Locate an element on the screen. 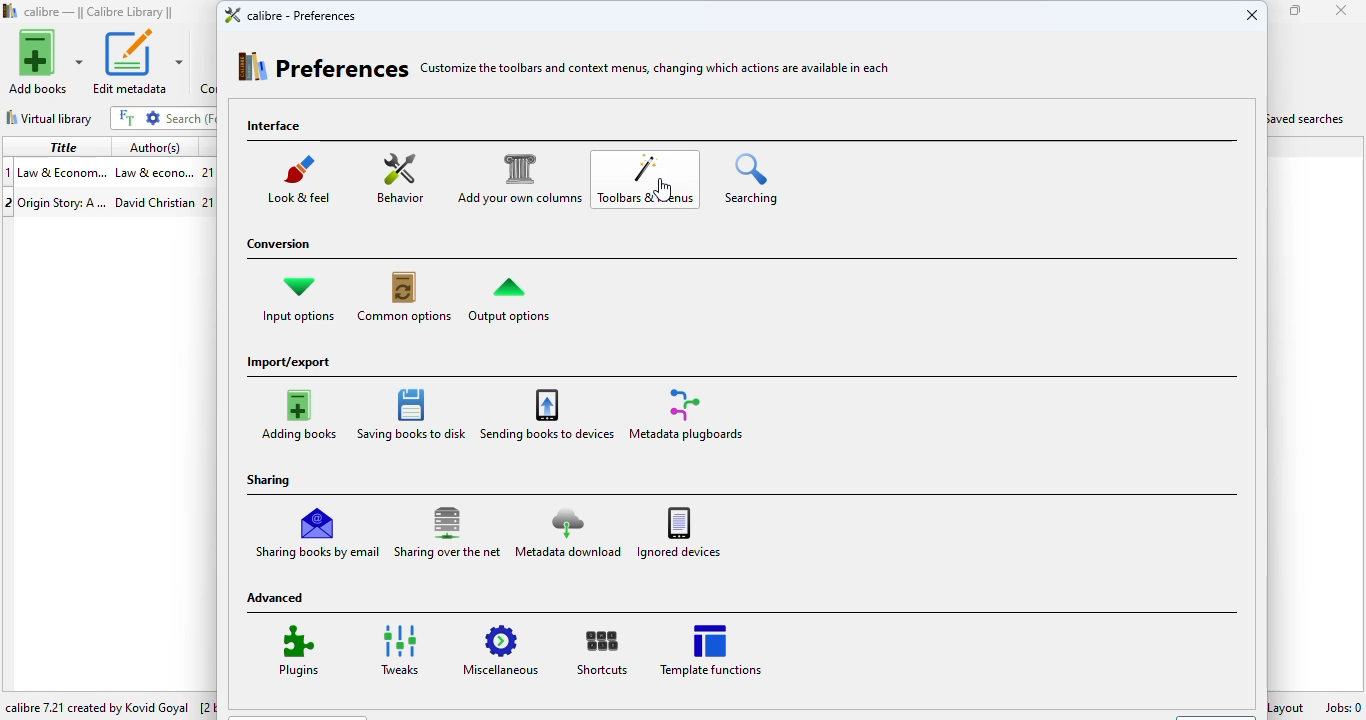 This screenshot has width=1366, height=720. close is located at coordinates (1252, 13).